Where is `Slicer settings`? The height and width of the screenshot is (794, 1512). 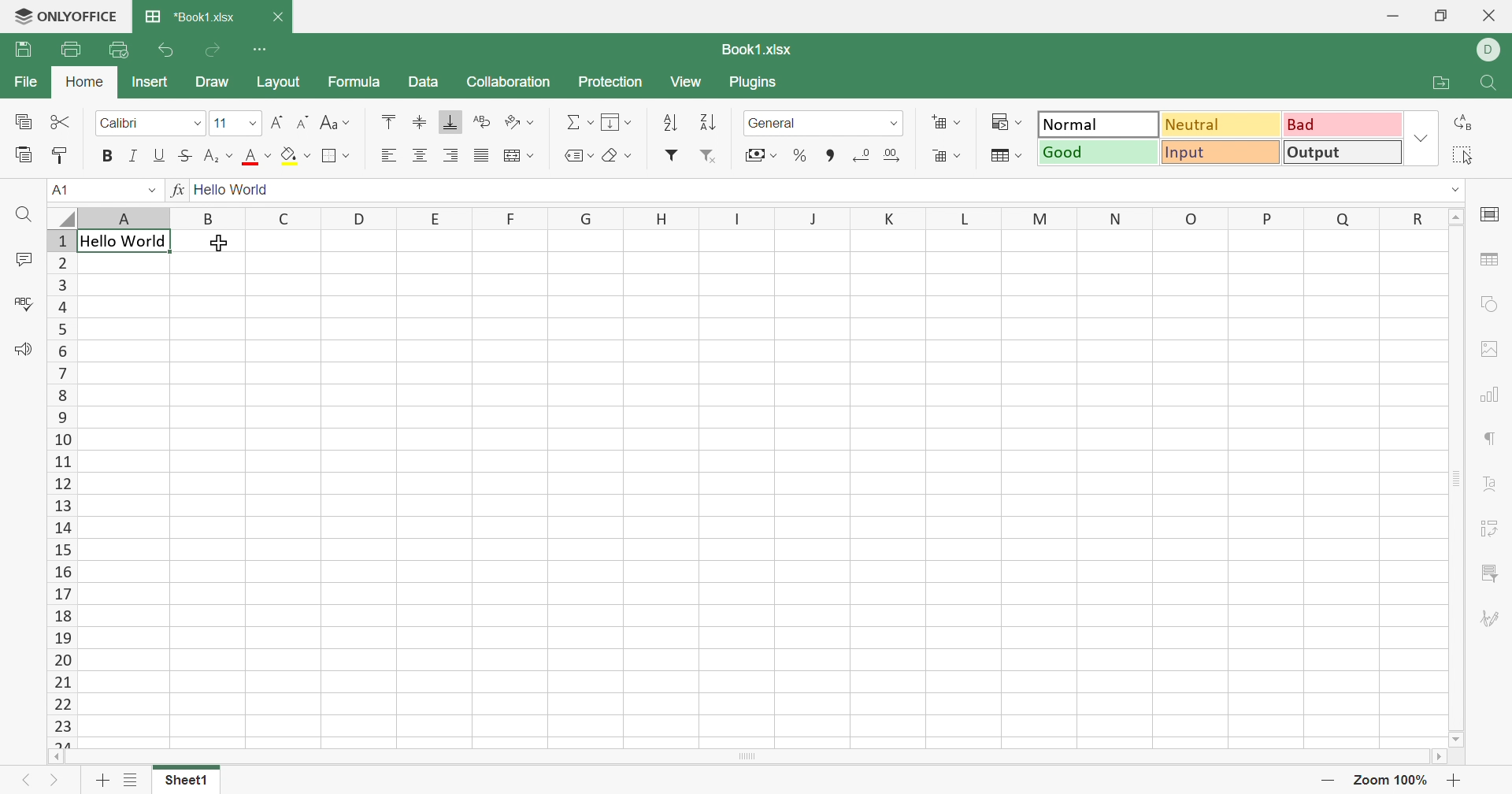
Slicer settings is located at coordinates (1492, 573).